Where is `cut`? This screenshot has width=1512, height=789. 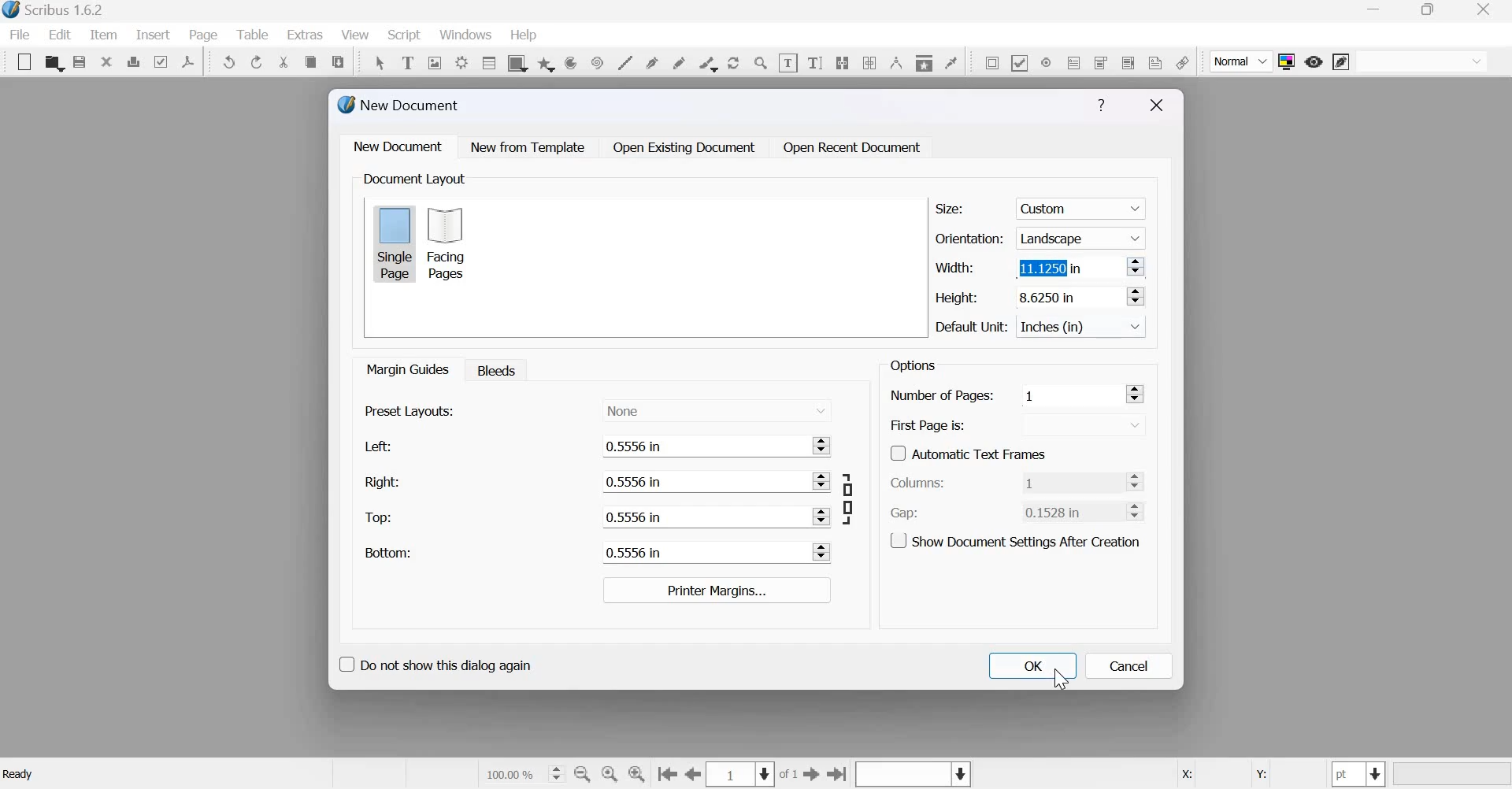 cut is located at coordinates (284, 62).